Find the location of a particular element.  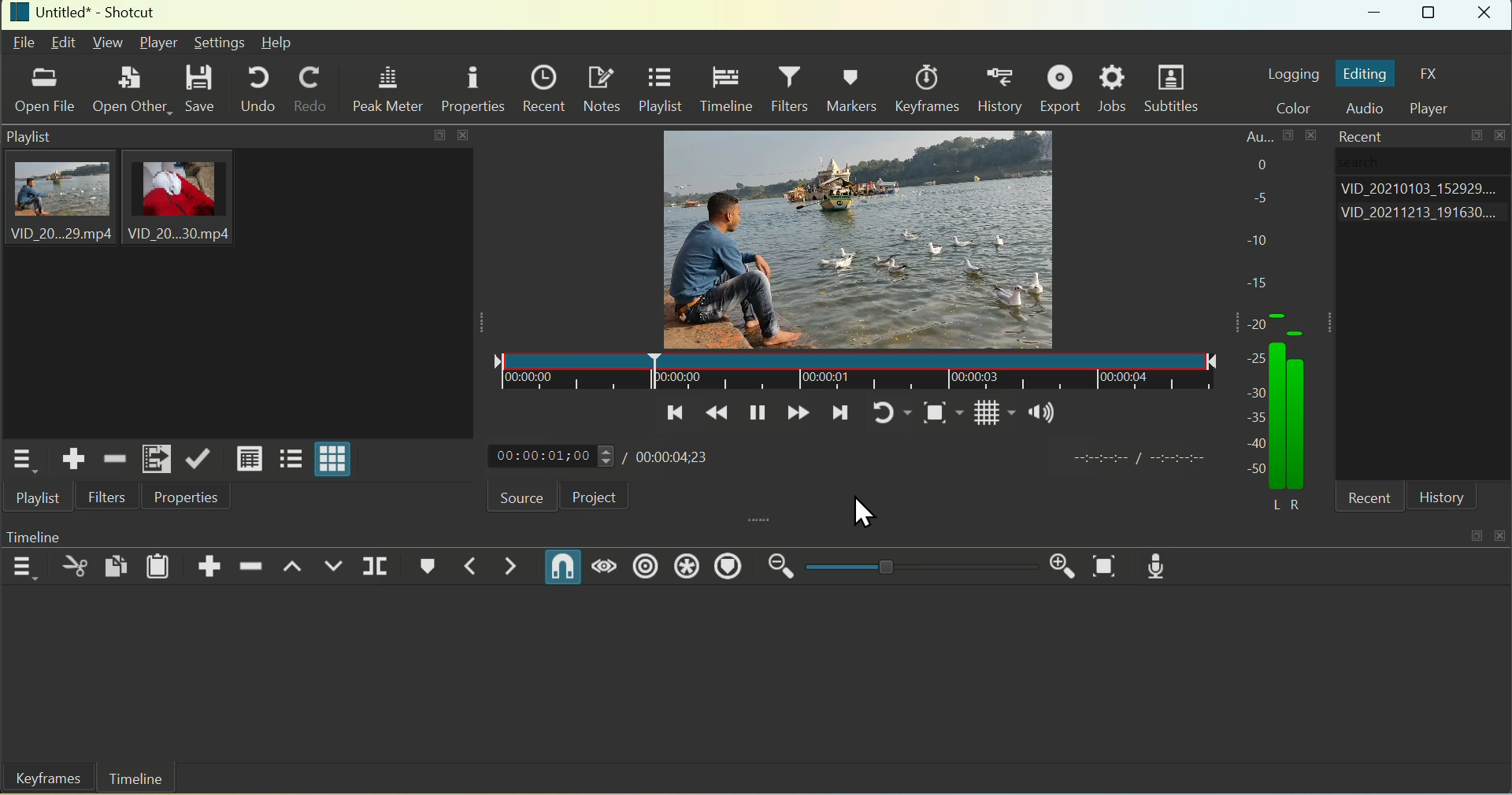

Marker is located at coordinates (423, 568).